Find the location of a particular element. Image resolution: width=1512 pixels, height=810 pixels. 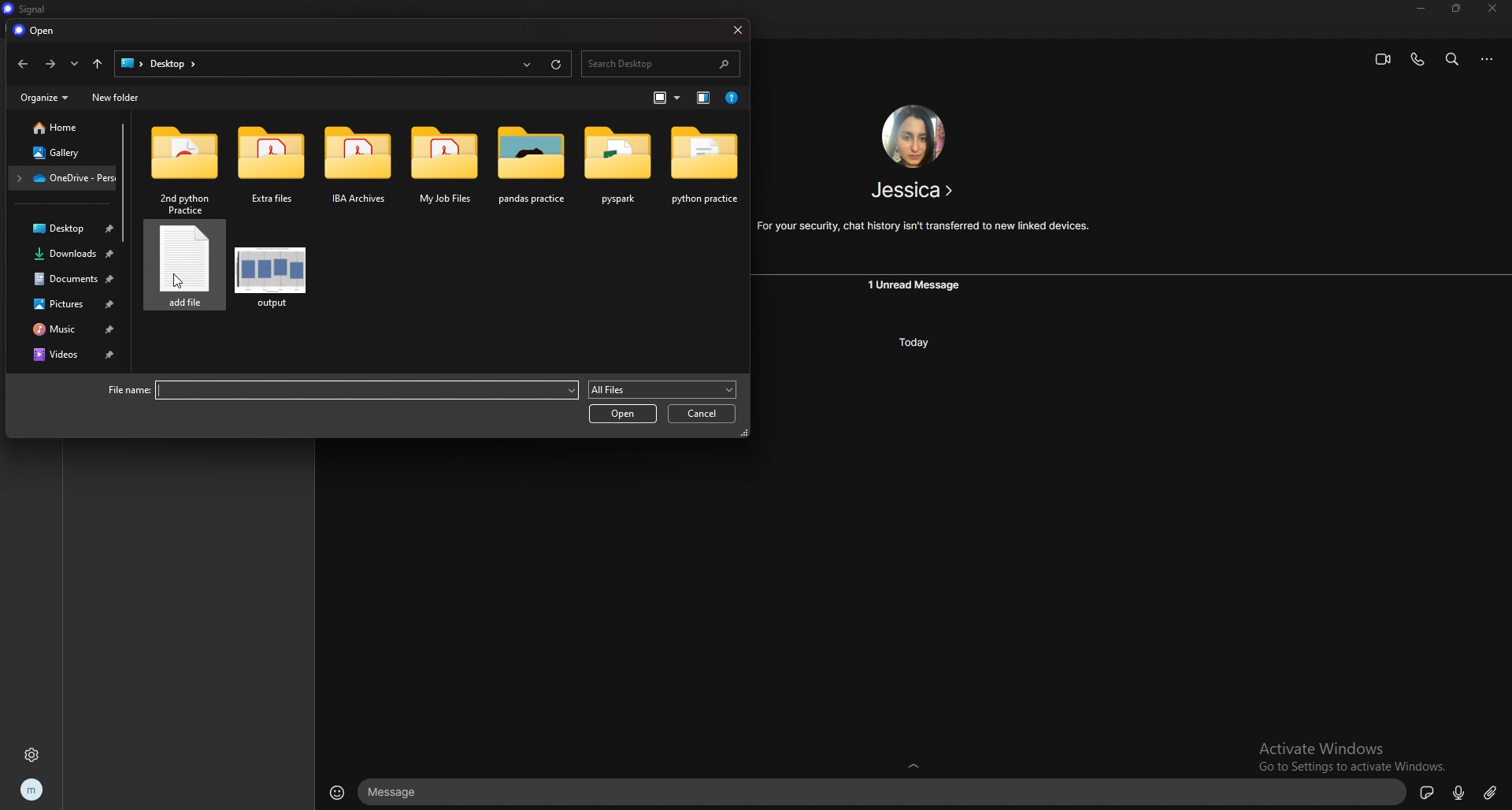

folder is located at coordinates (358, 167).